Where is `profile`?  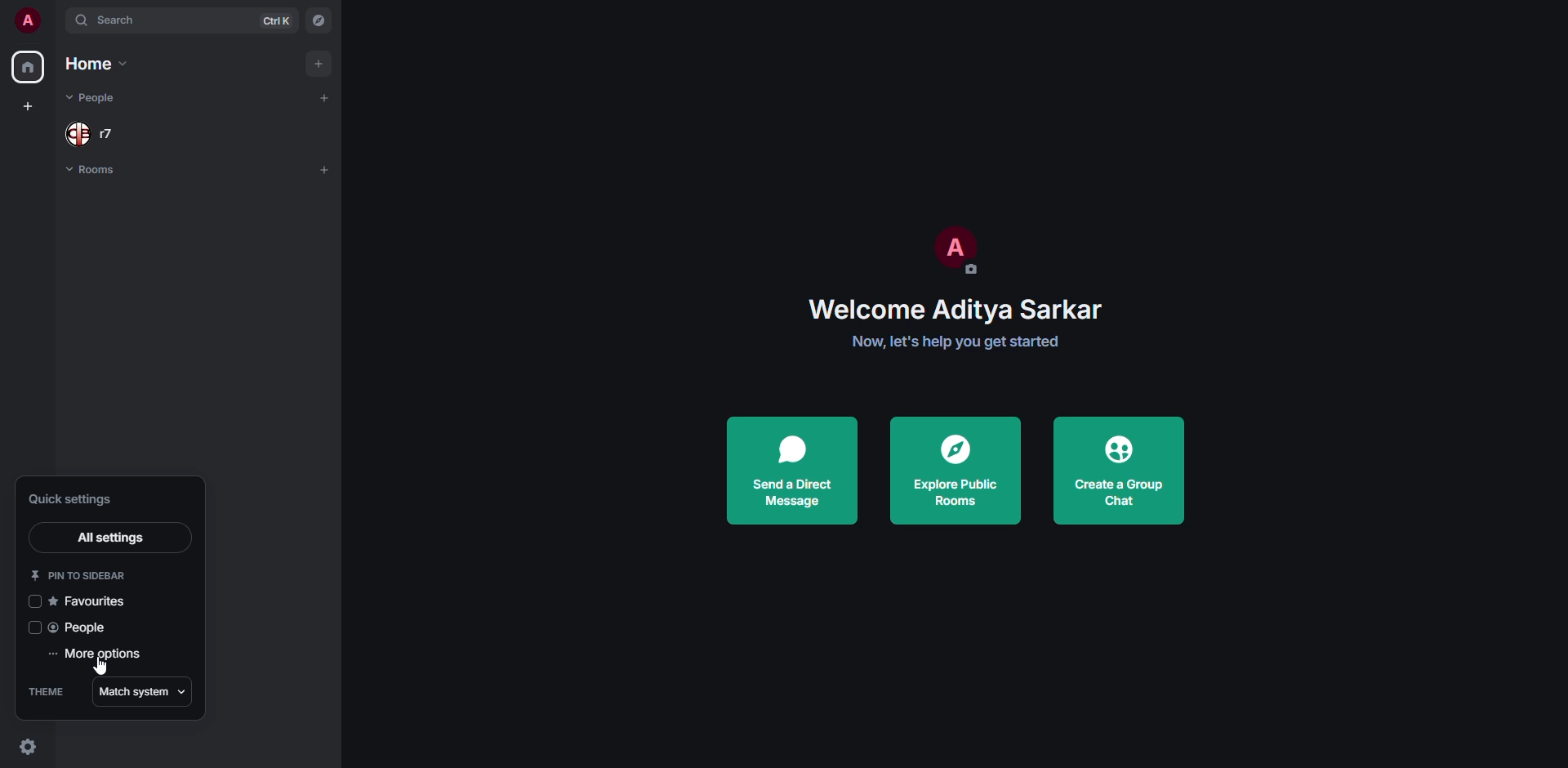 profile is located at coordinates (960, 250).